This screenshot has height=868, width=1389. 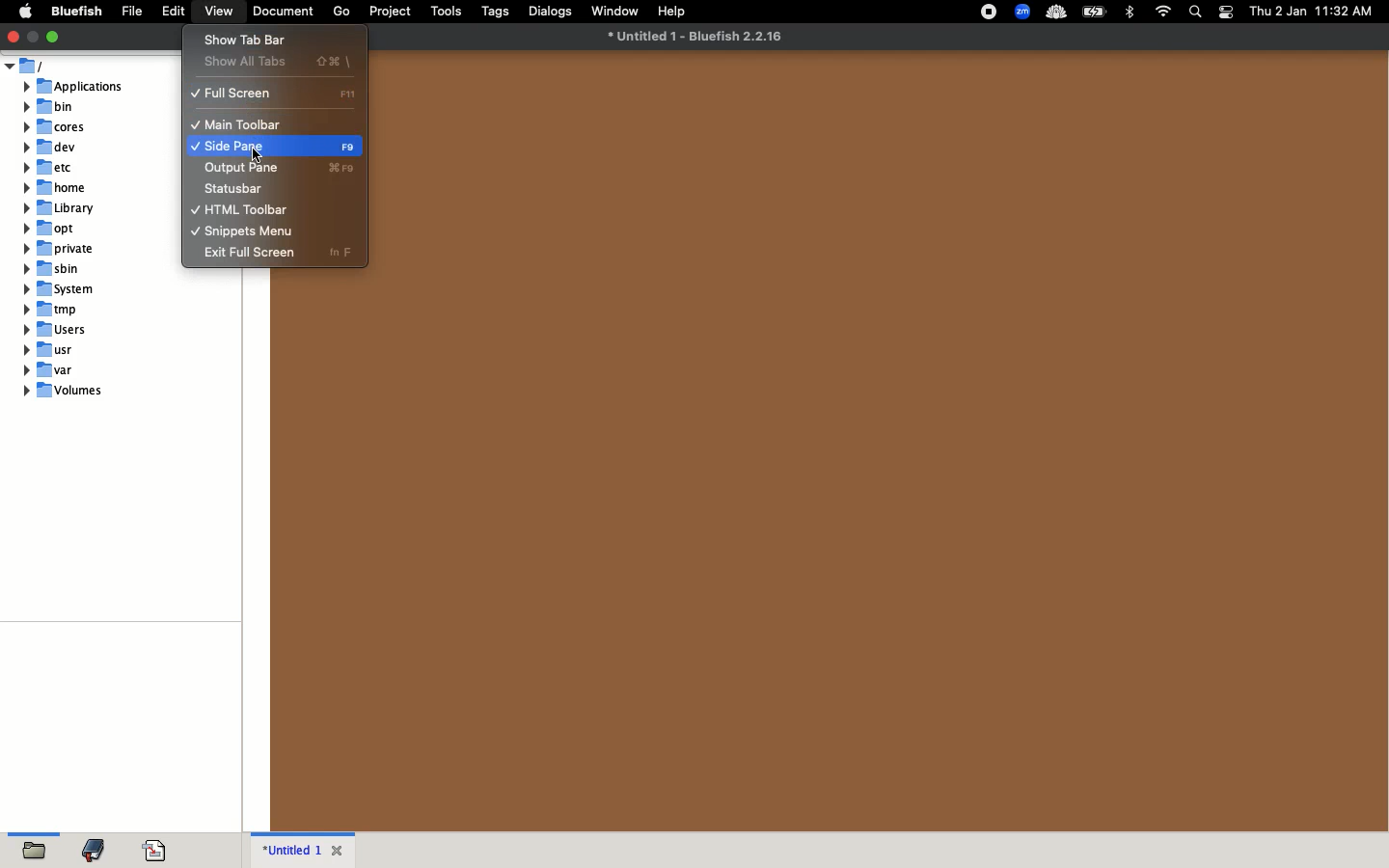 I want to click on help, so click(x=673, y=12).